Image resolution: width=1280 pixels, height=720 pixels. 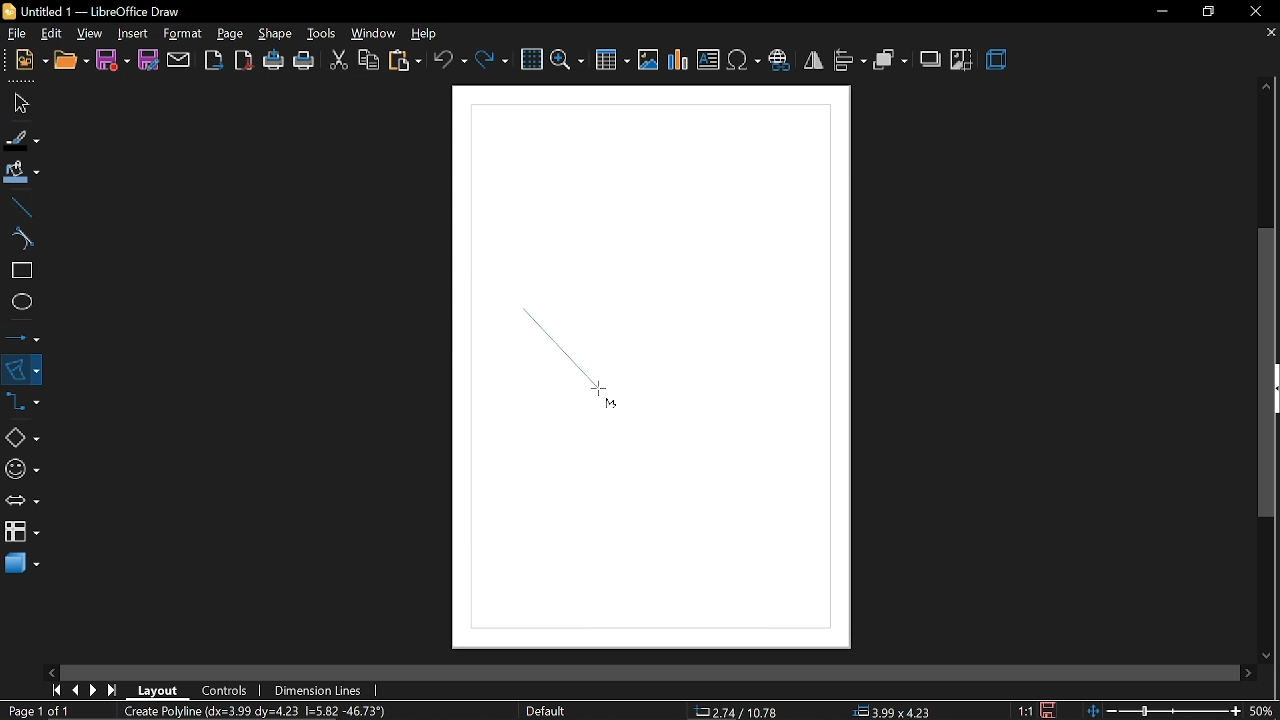 I want to click on insert, so click(x=132, y=33).